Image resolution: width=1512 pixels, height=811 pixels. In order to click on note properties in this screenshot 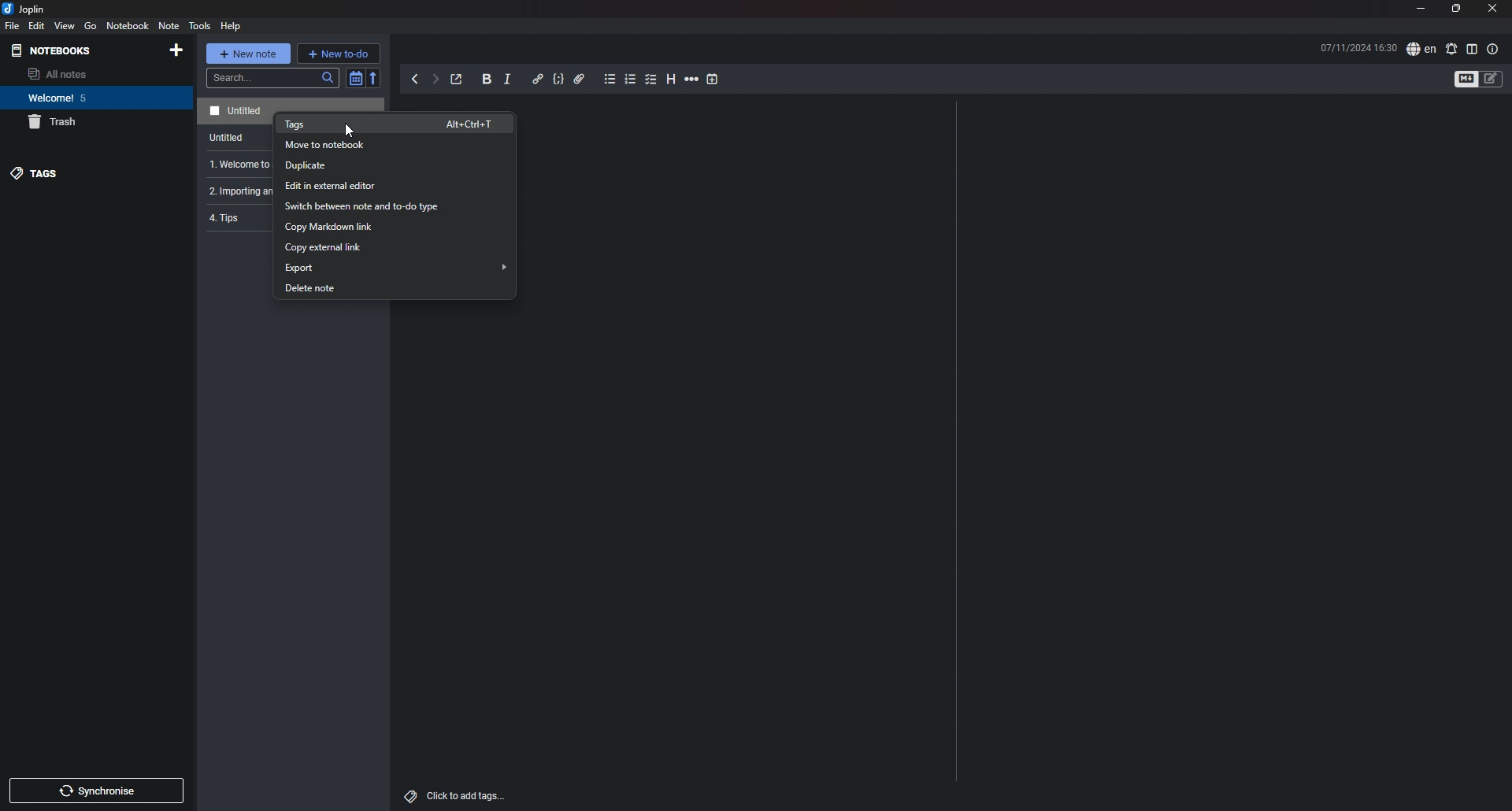, I will do `click(1492, 49)`.